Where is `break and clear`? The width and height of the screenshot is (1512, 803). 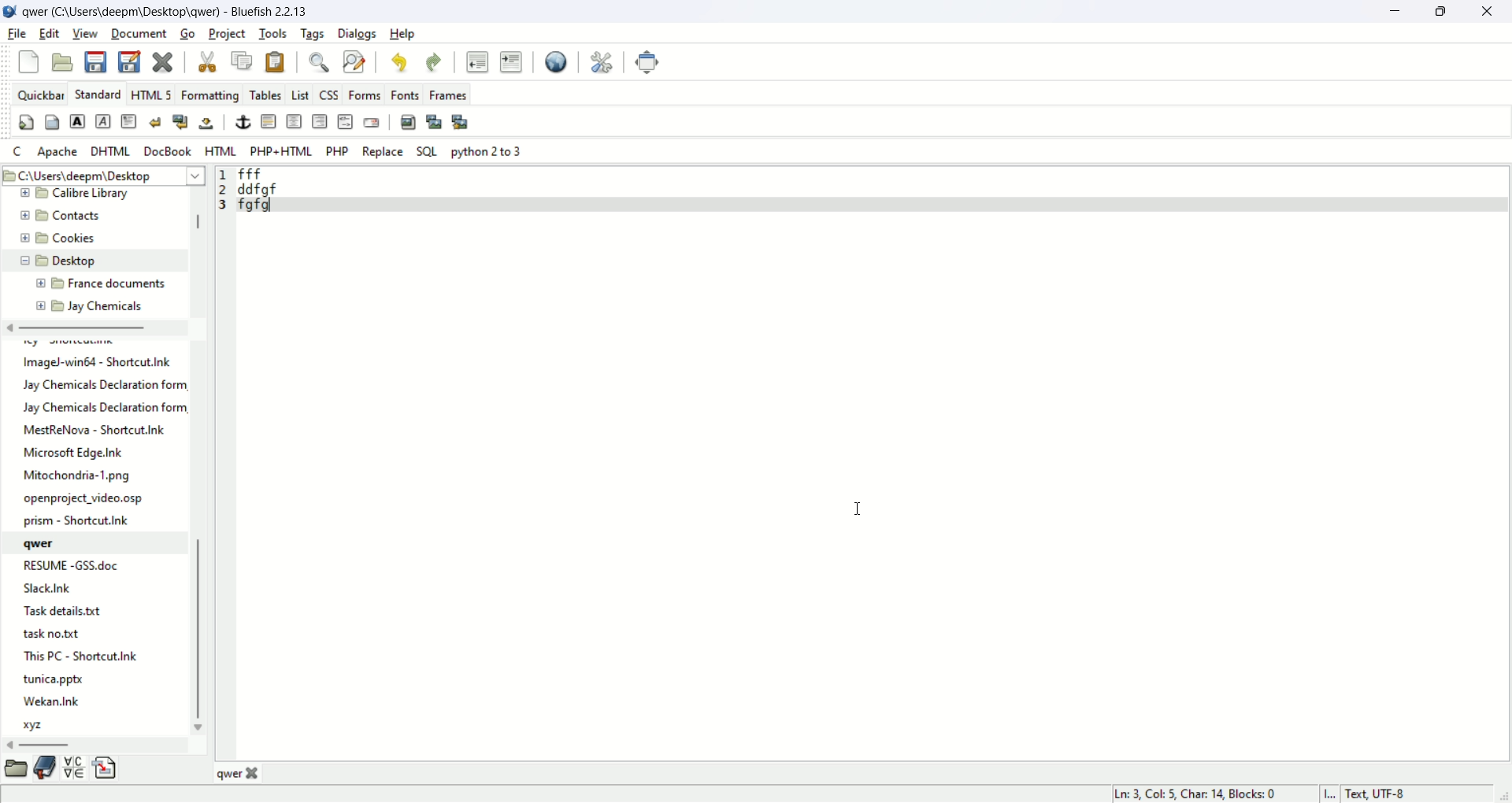 break and clear is located at coordinates (180, 122).